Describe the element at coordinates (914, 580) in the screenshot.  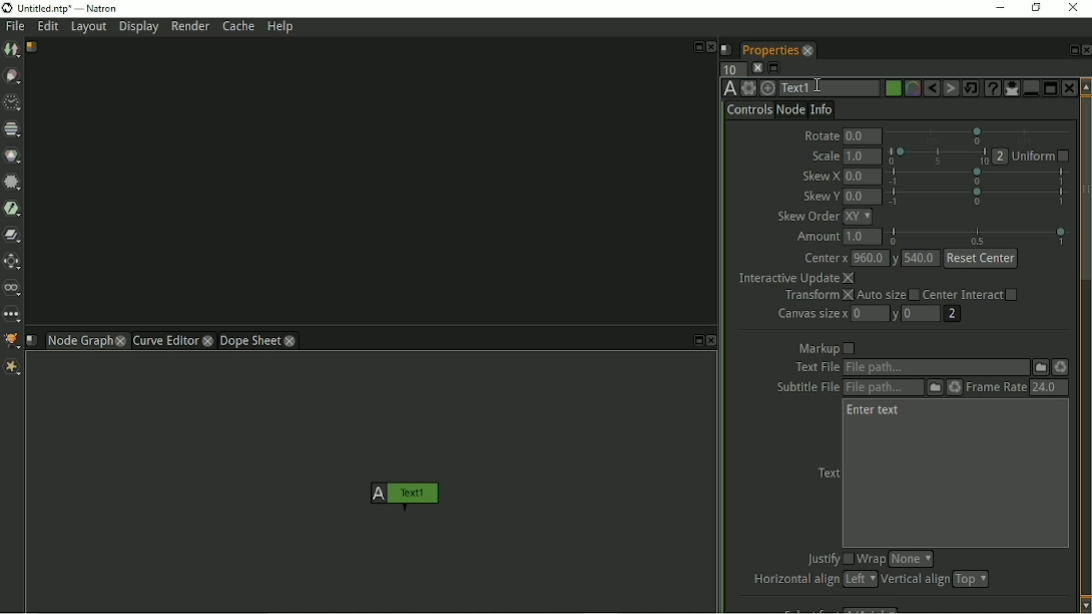
I see `Vertical align` at that location.